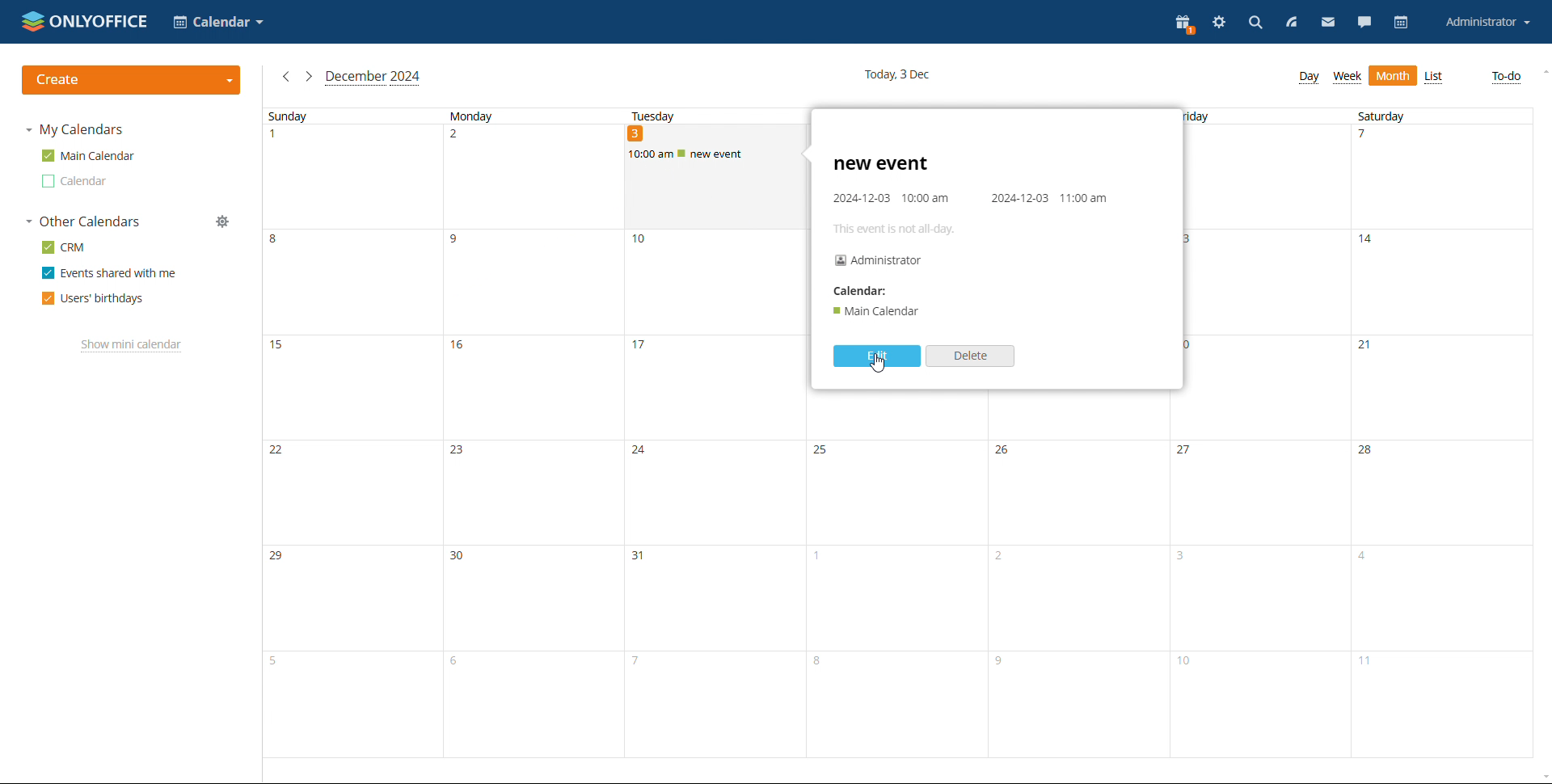  What do you see at coordinates (64, 247) in the screenshot?
I see `crm` at bounding box center [64, 247].